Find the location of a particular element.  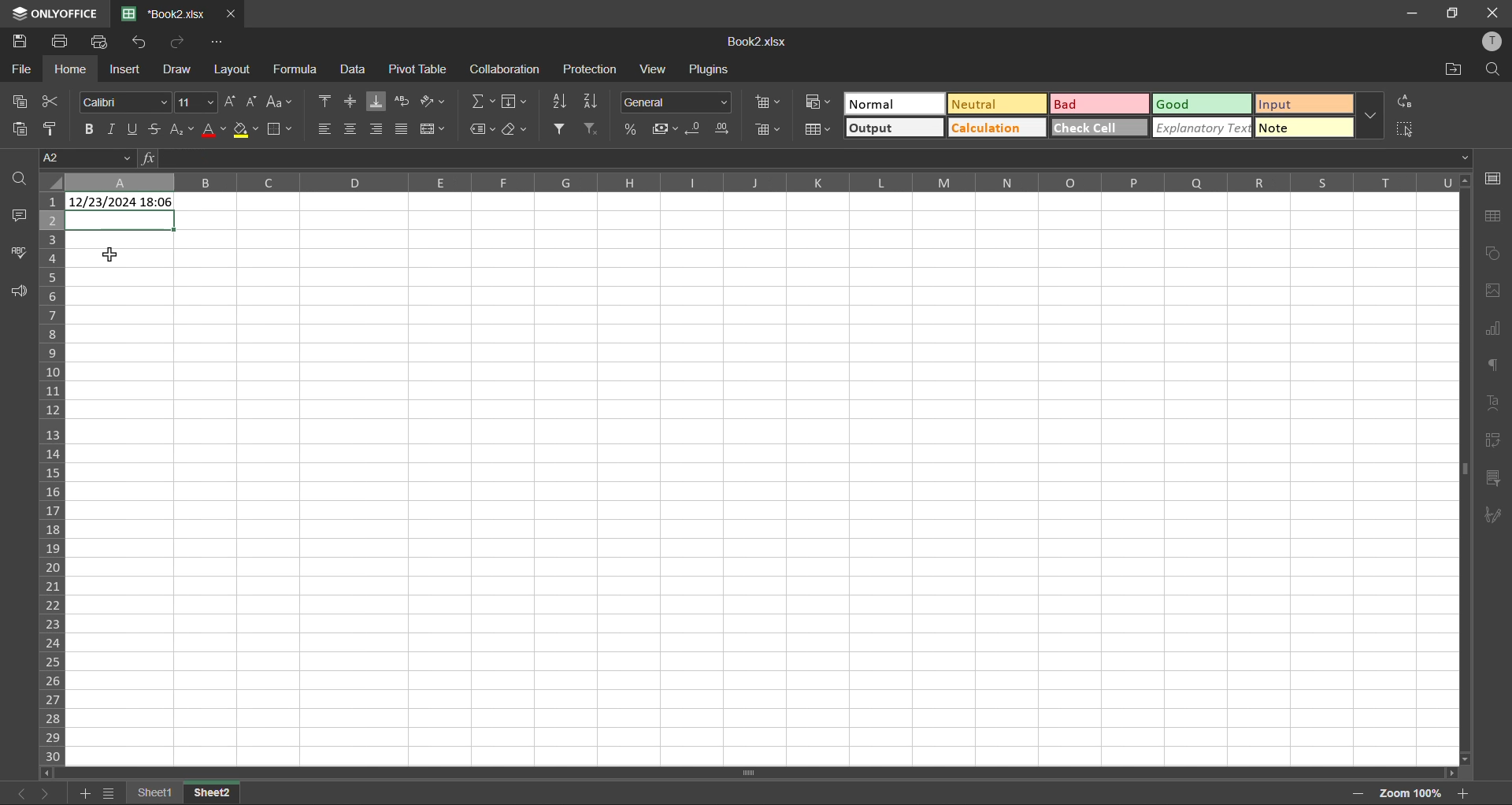

scrollbar is located at coordinates (1464, 473).